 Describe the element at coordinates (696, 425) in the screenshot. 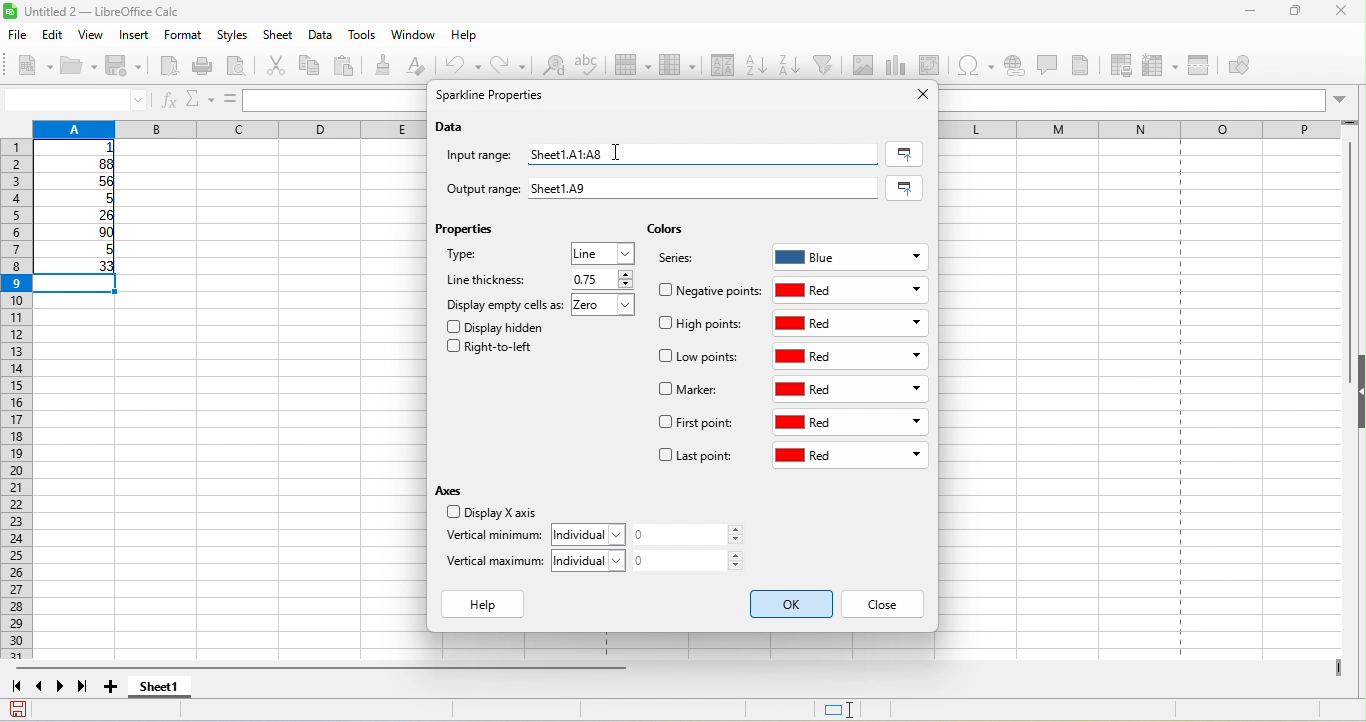

I see `first point` at that location.